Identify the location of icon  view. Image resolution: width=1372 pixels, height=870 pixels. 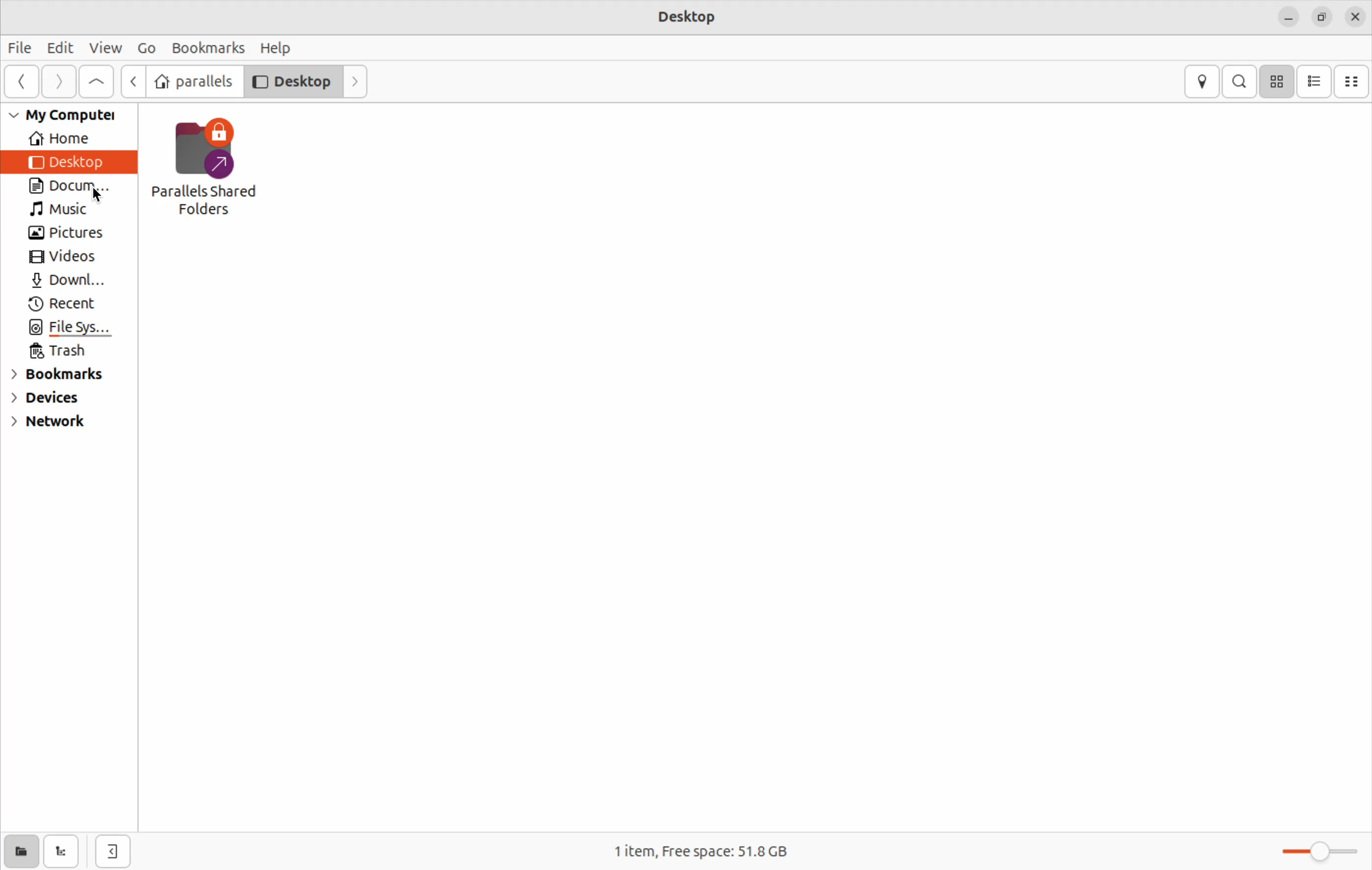
(1277, 80).